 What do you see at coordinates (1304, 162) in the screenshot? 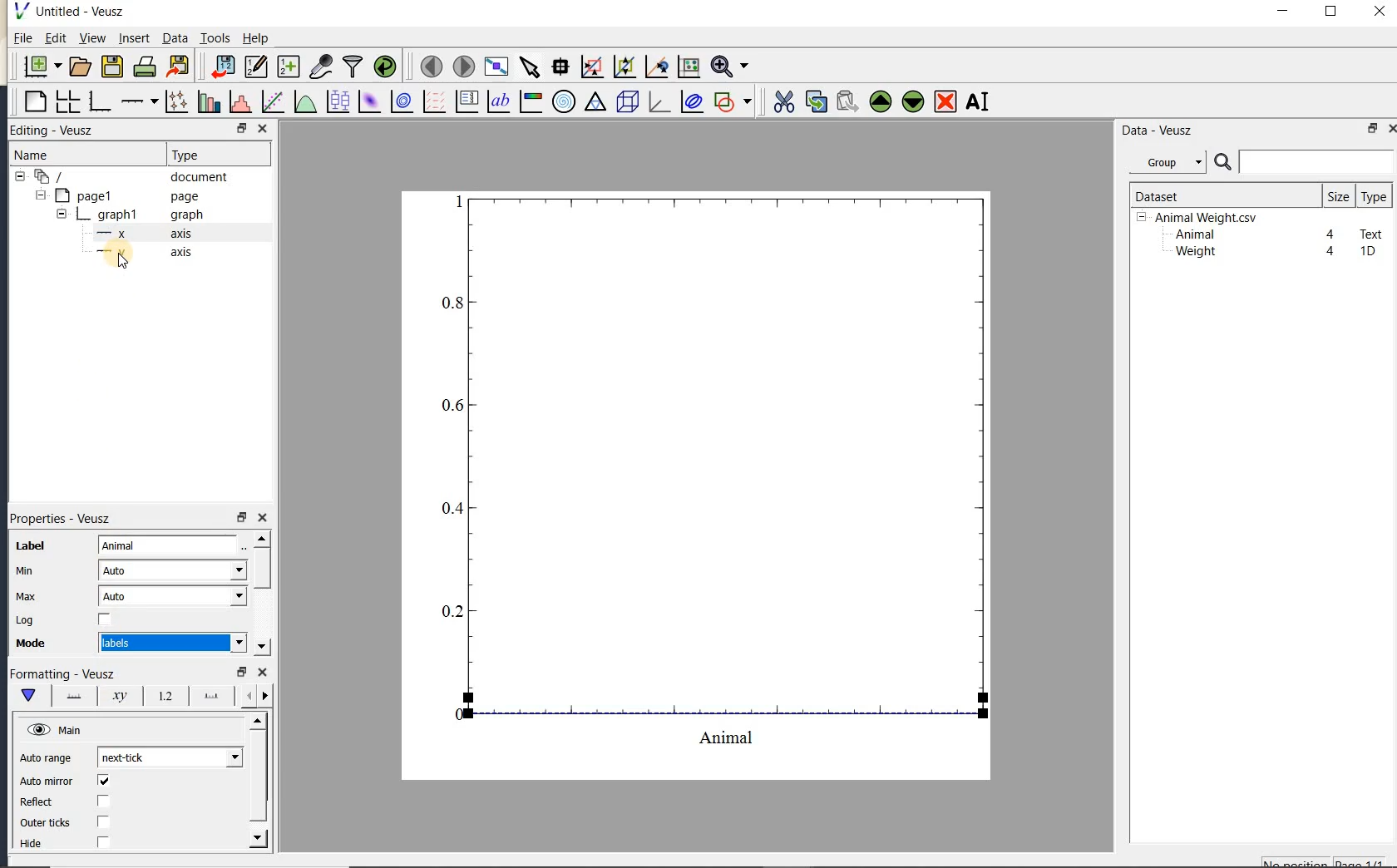
I see `search datasets` at bounding box center [1304, 162].